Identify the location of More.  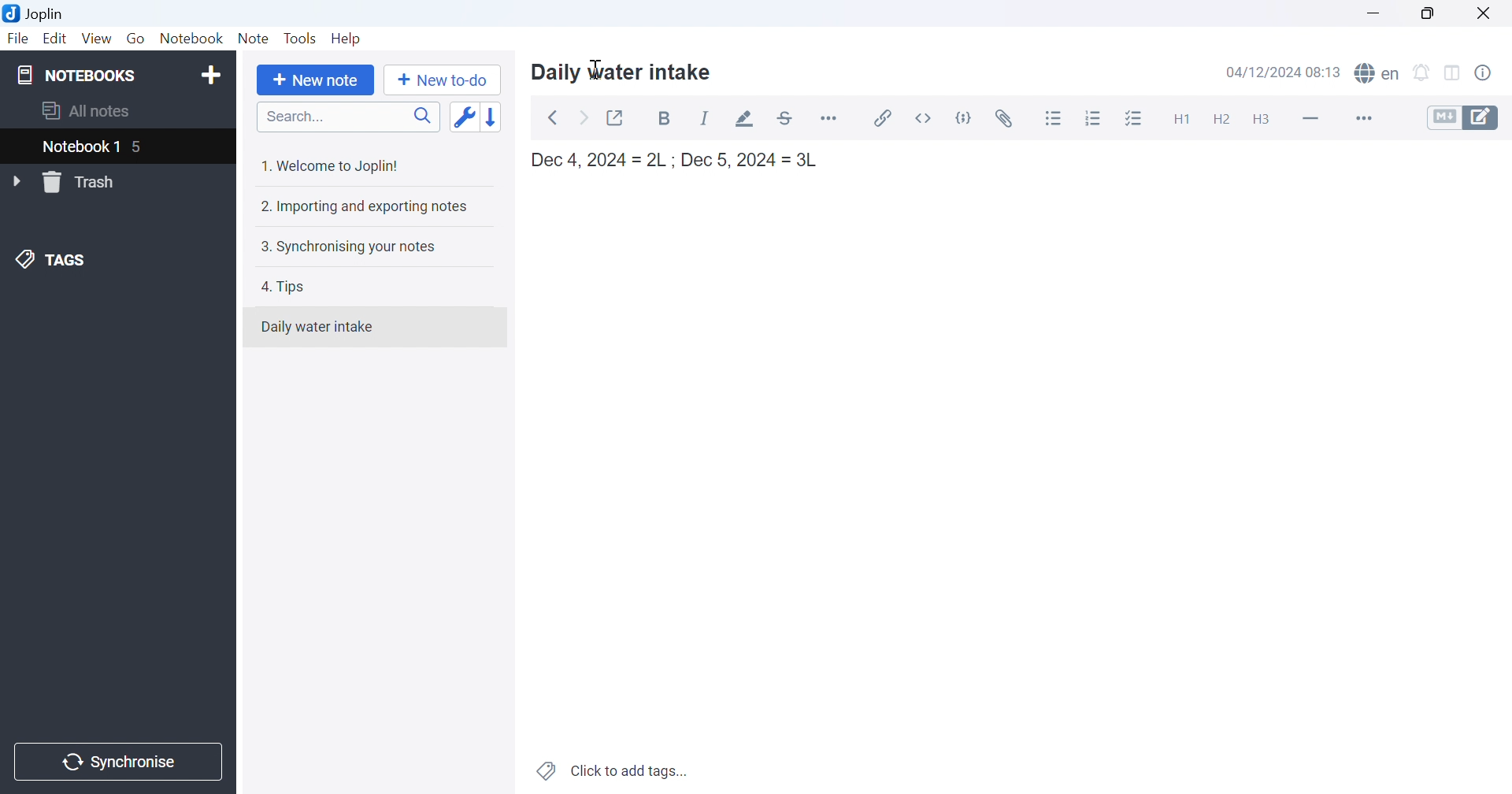
(1357, 118).